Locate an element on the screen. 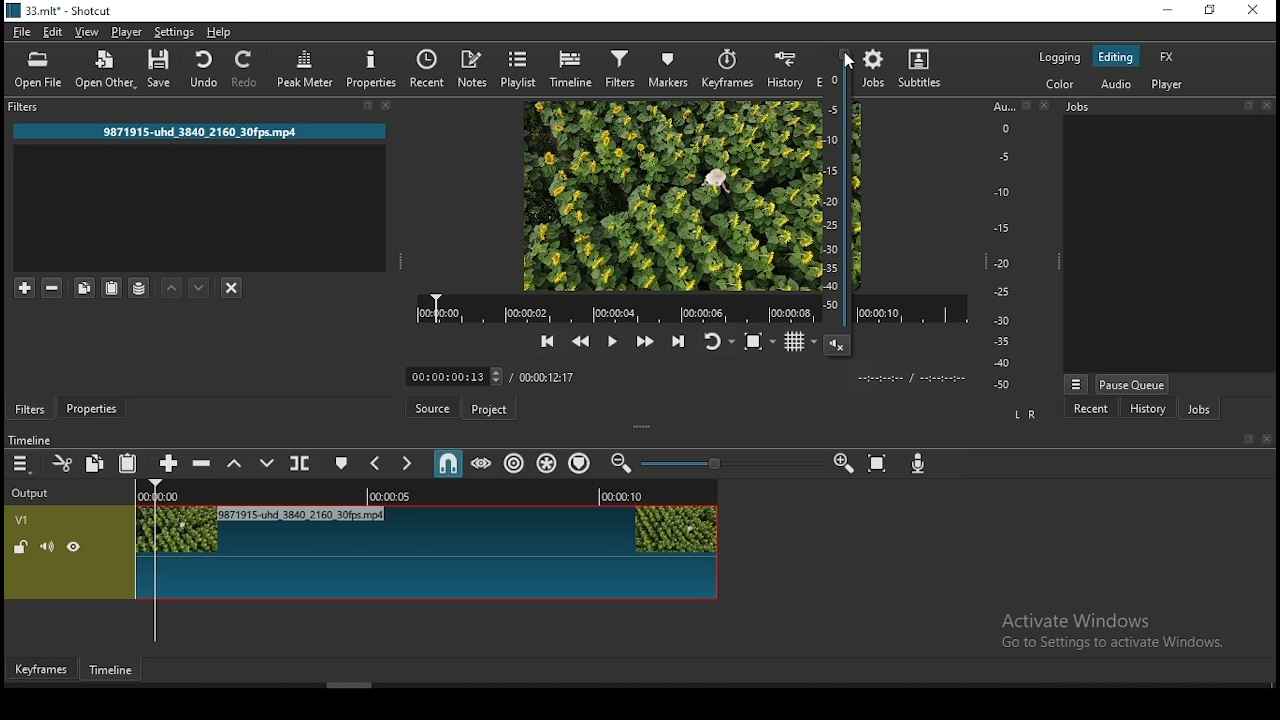  Timeline Track is located at coordinates (425, 495).